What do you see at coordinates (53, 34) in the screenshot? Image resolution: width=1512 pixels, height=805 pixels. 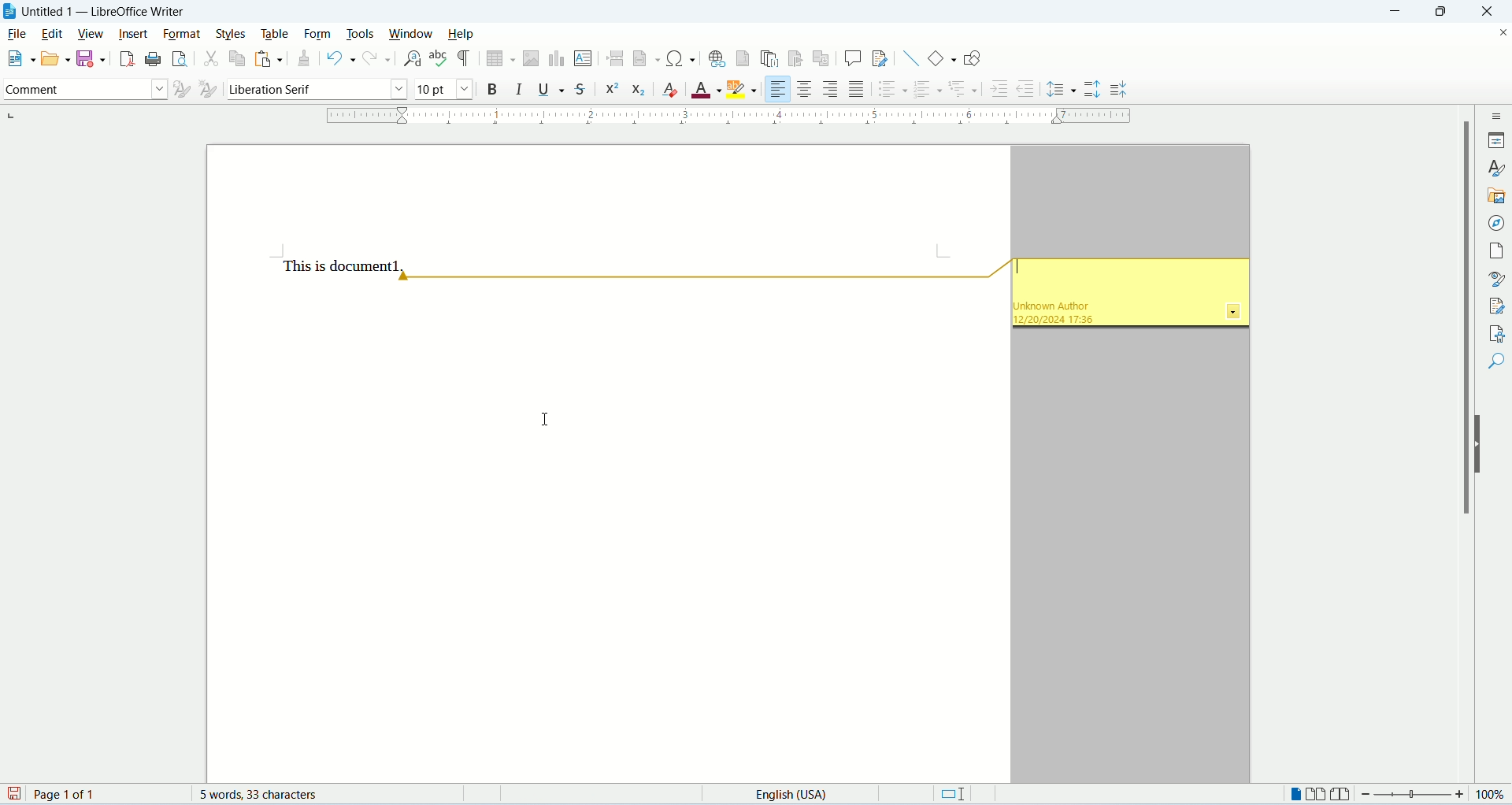 I see `edir` at bounding box center [53, 34].